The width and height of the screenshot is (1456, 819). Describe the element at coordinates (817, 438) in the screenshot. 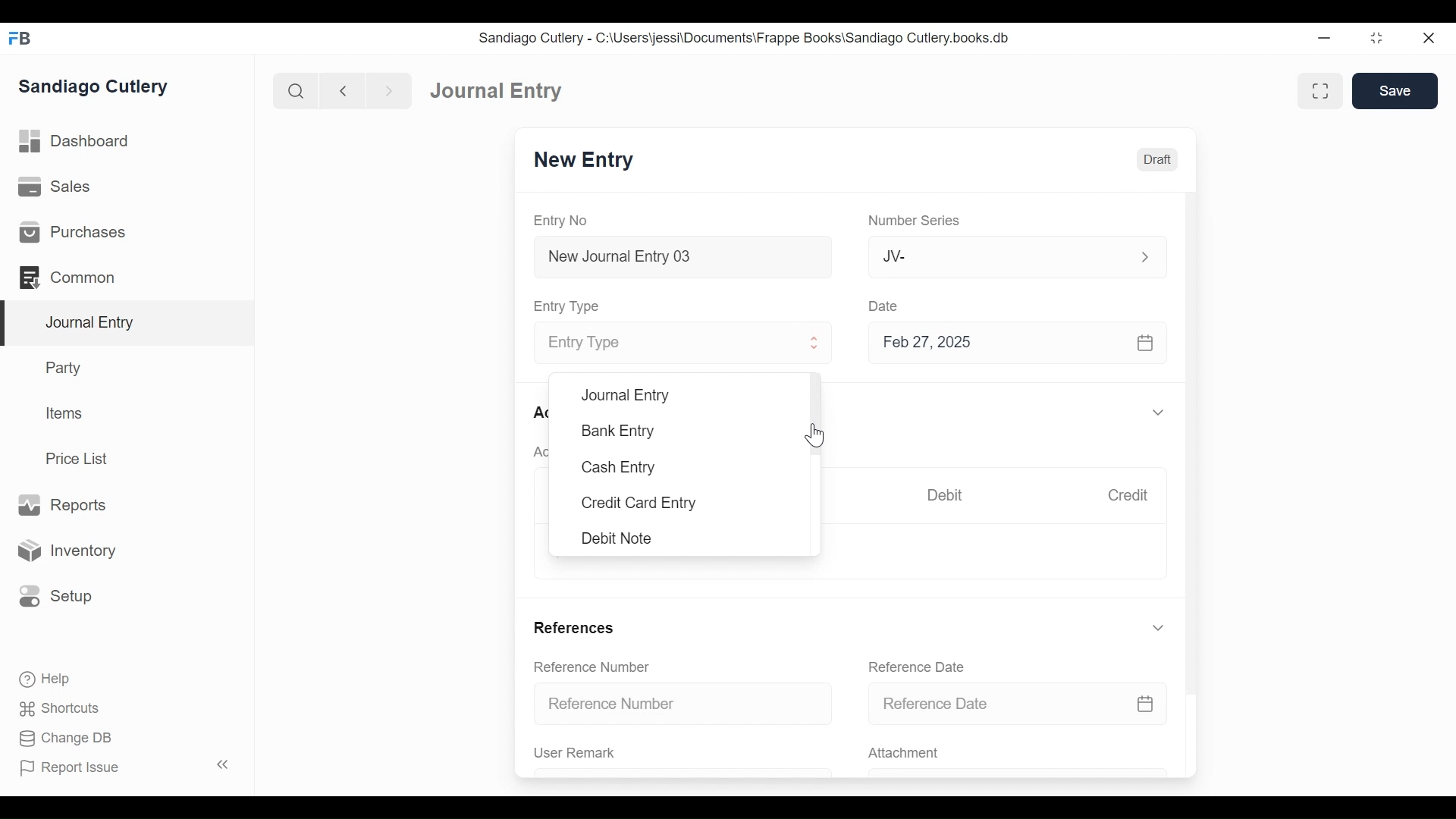

I see `Cursor` at that location.